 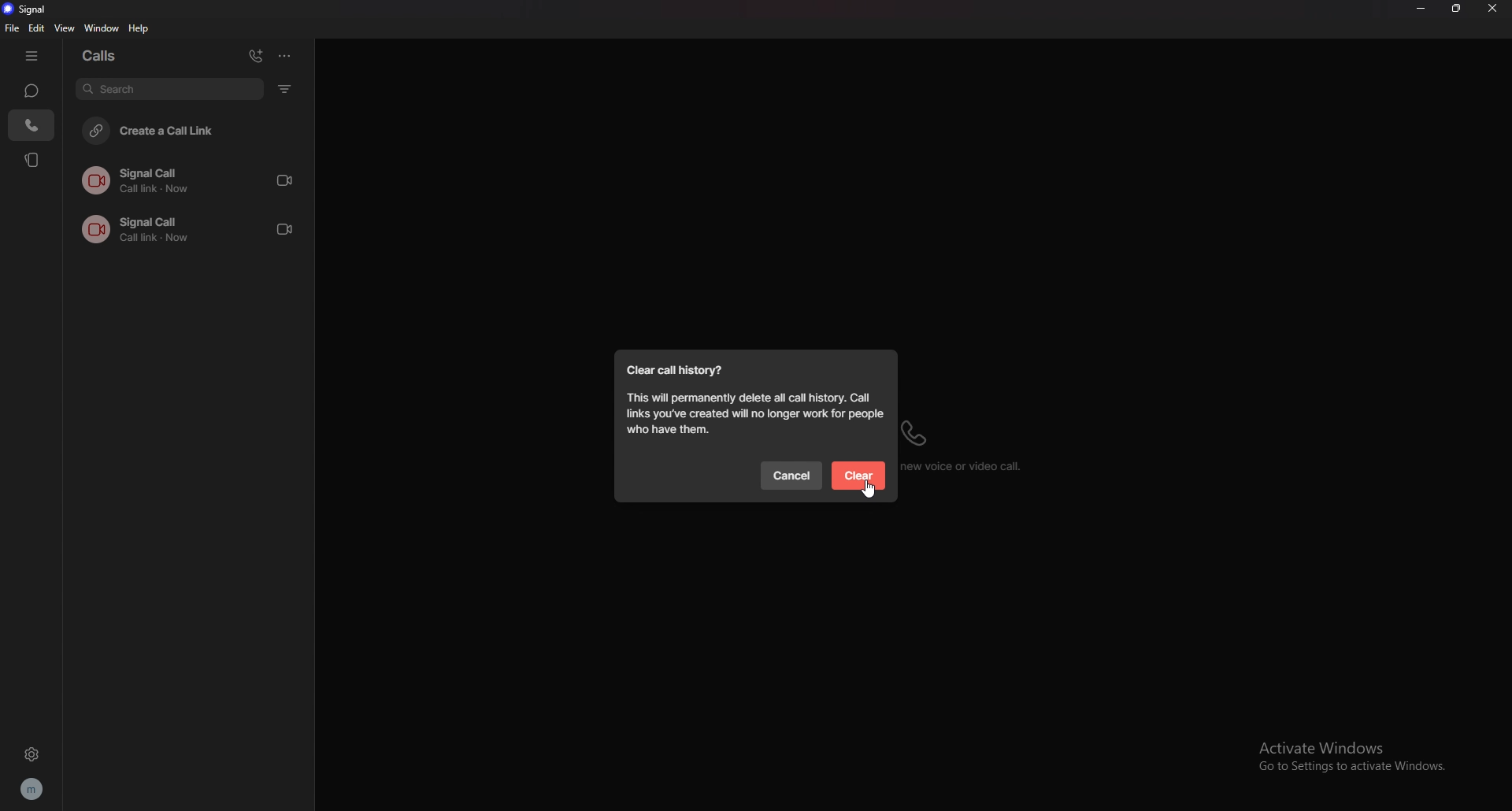 I want to click on filter, so click(x=286, y=88).